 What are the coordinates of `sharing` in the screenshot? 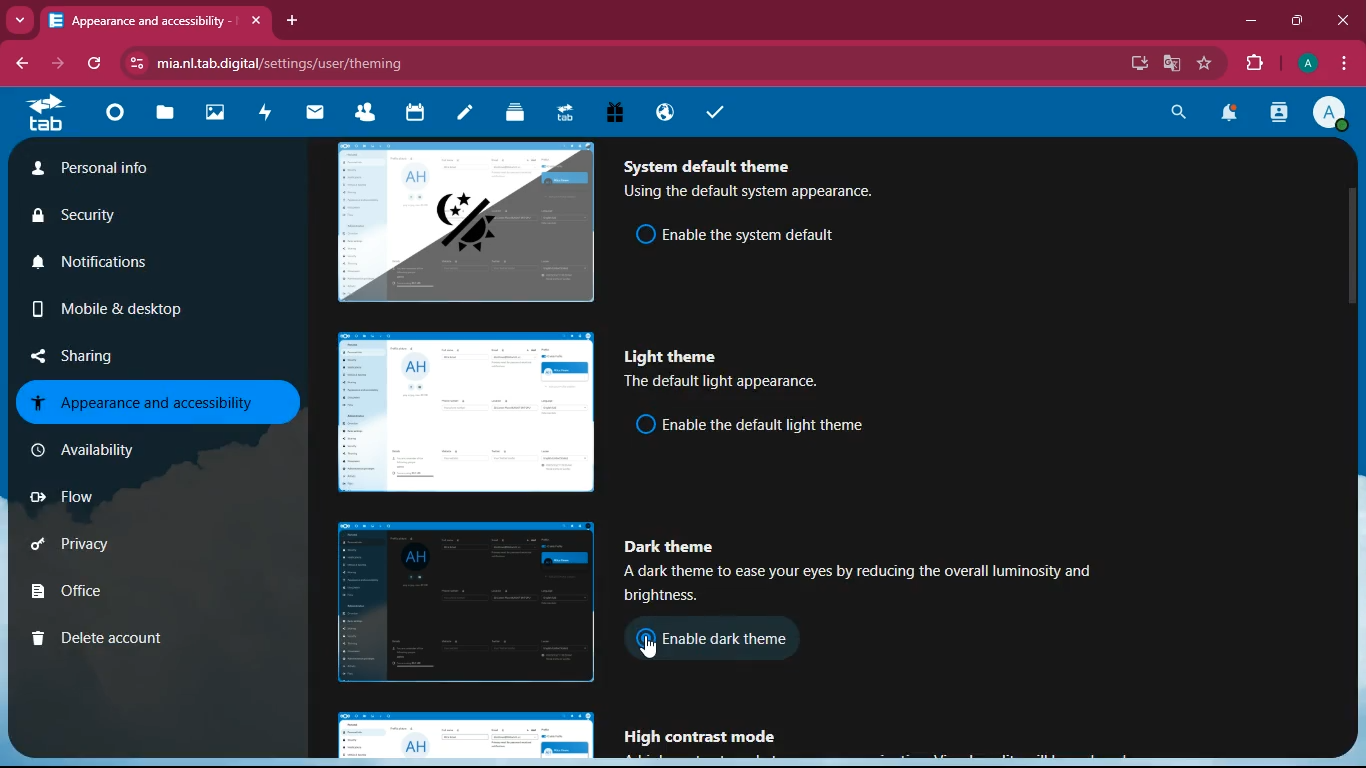 It's located at (132, 351).